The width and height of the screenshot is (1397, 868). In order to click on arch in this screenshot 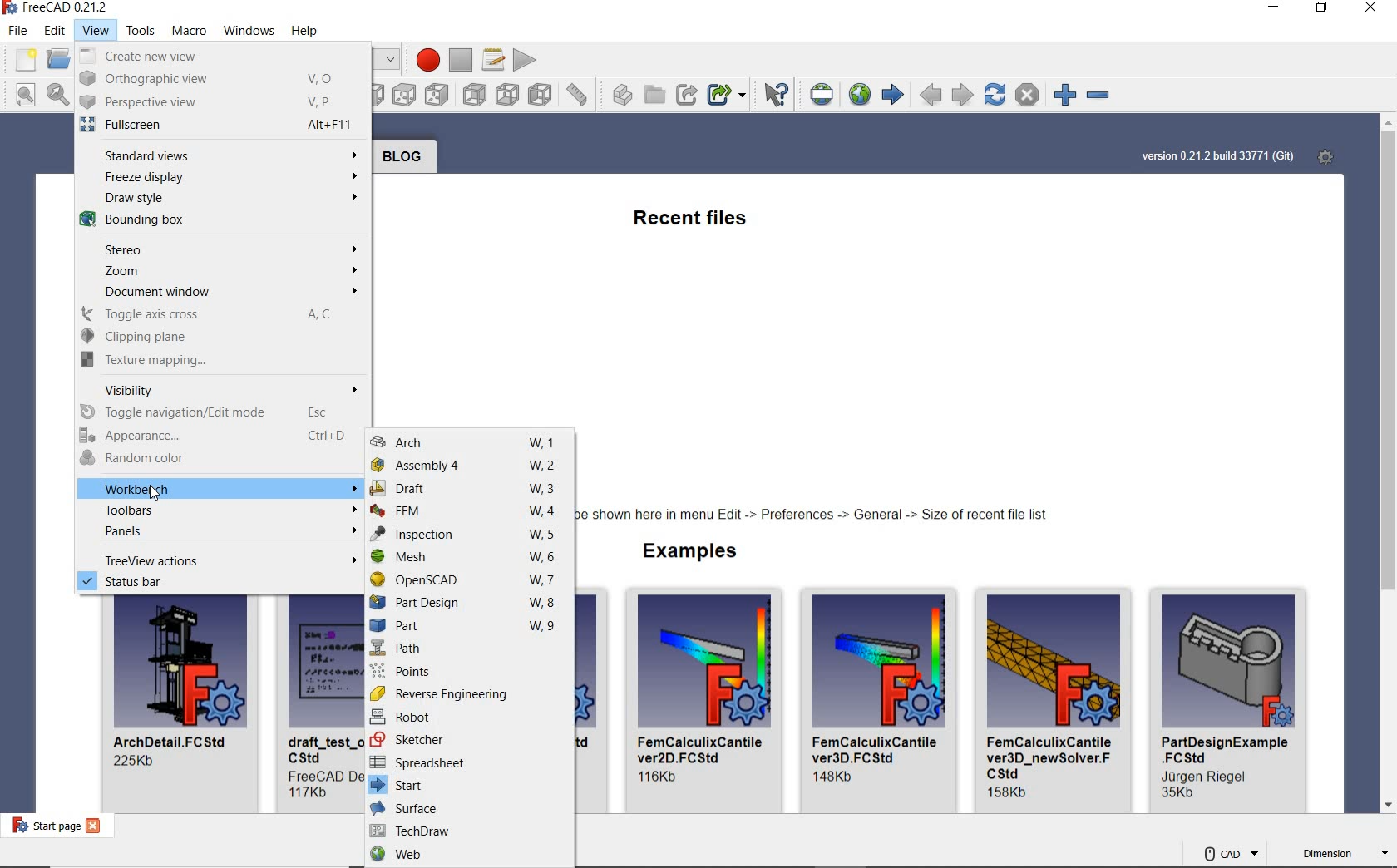, I will do `click(467, 442)`.